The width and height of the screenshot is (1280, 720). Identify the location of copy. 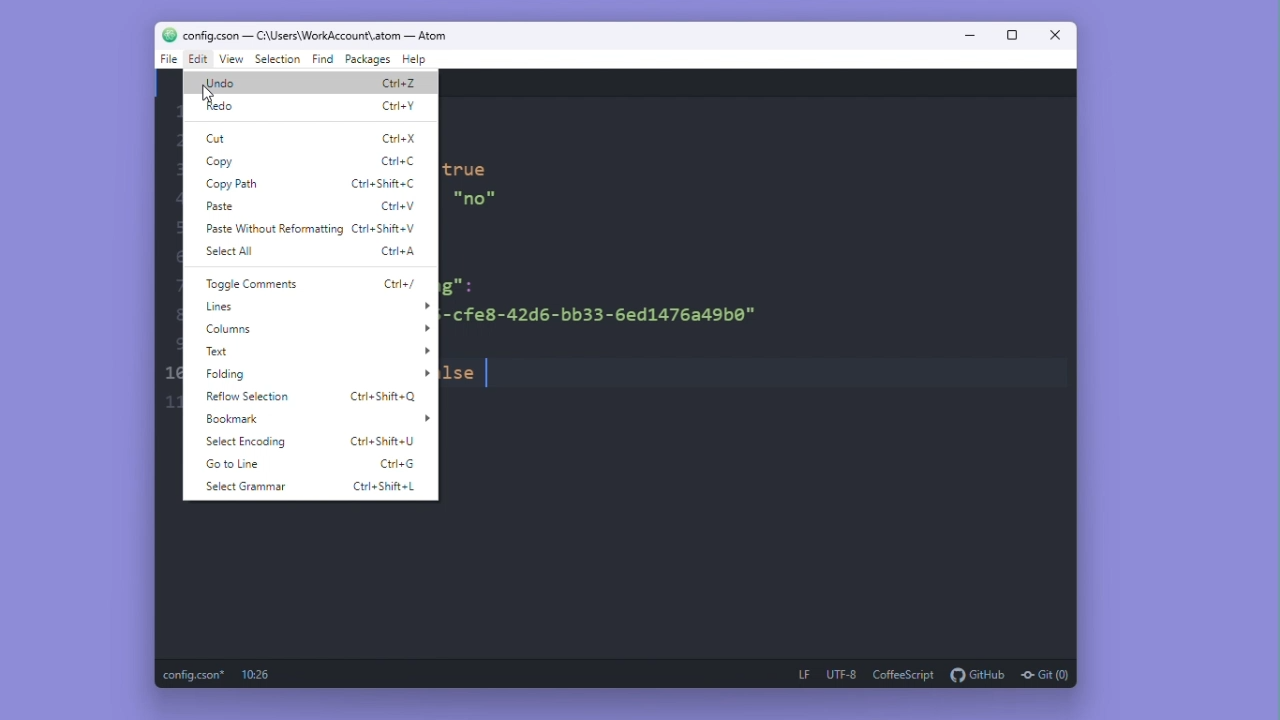
(222, 161).